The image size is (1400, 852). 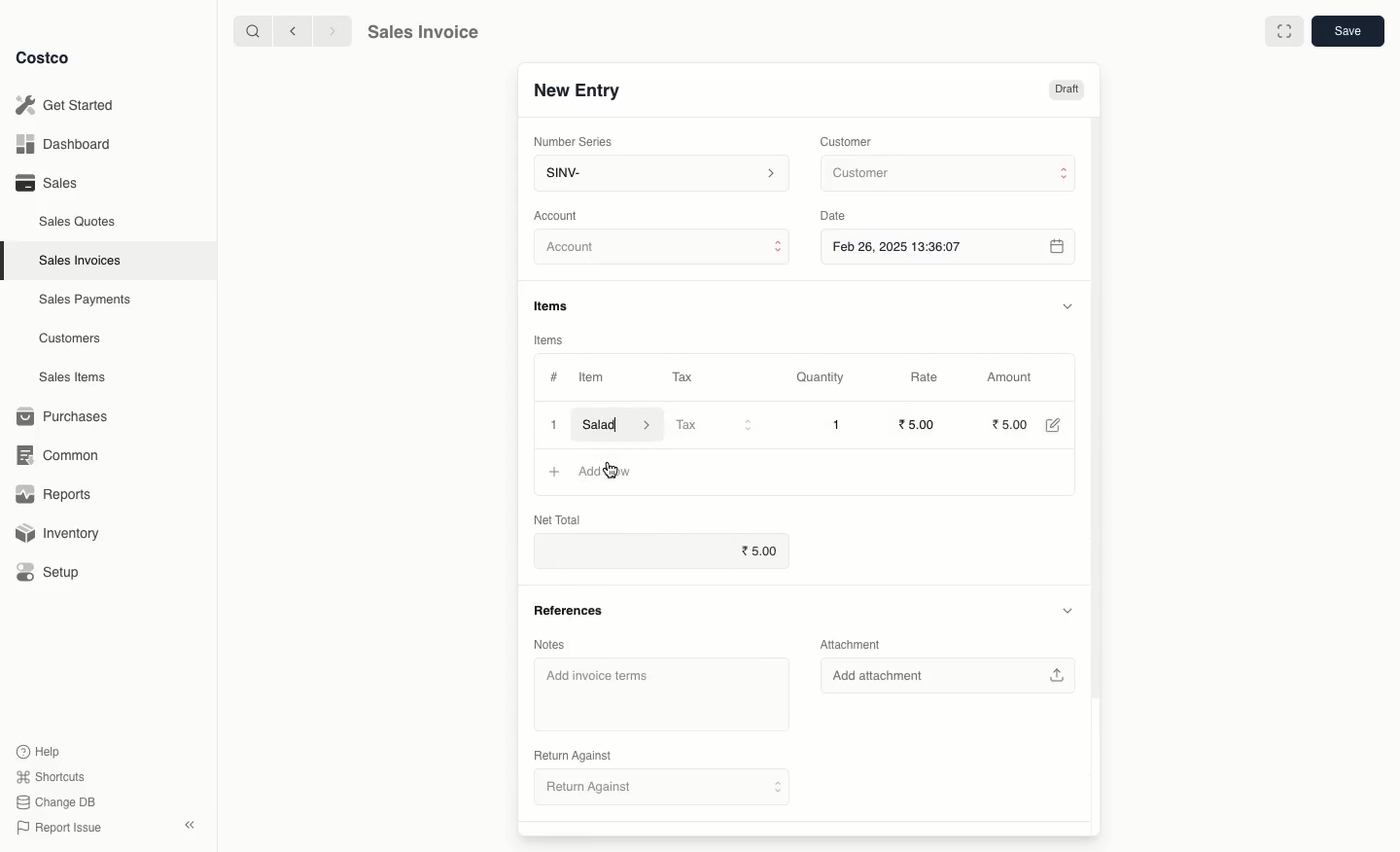 I want to click on Draft, so click(x=1067, y=90).